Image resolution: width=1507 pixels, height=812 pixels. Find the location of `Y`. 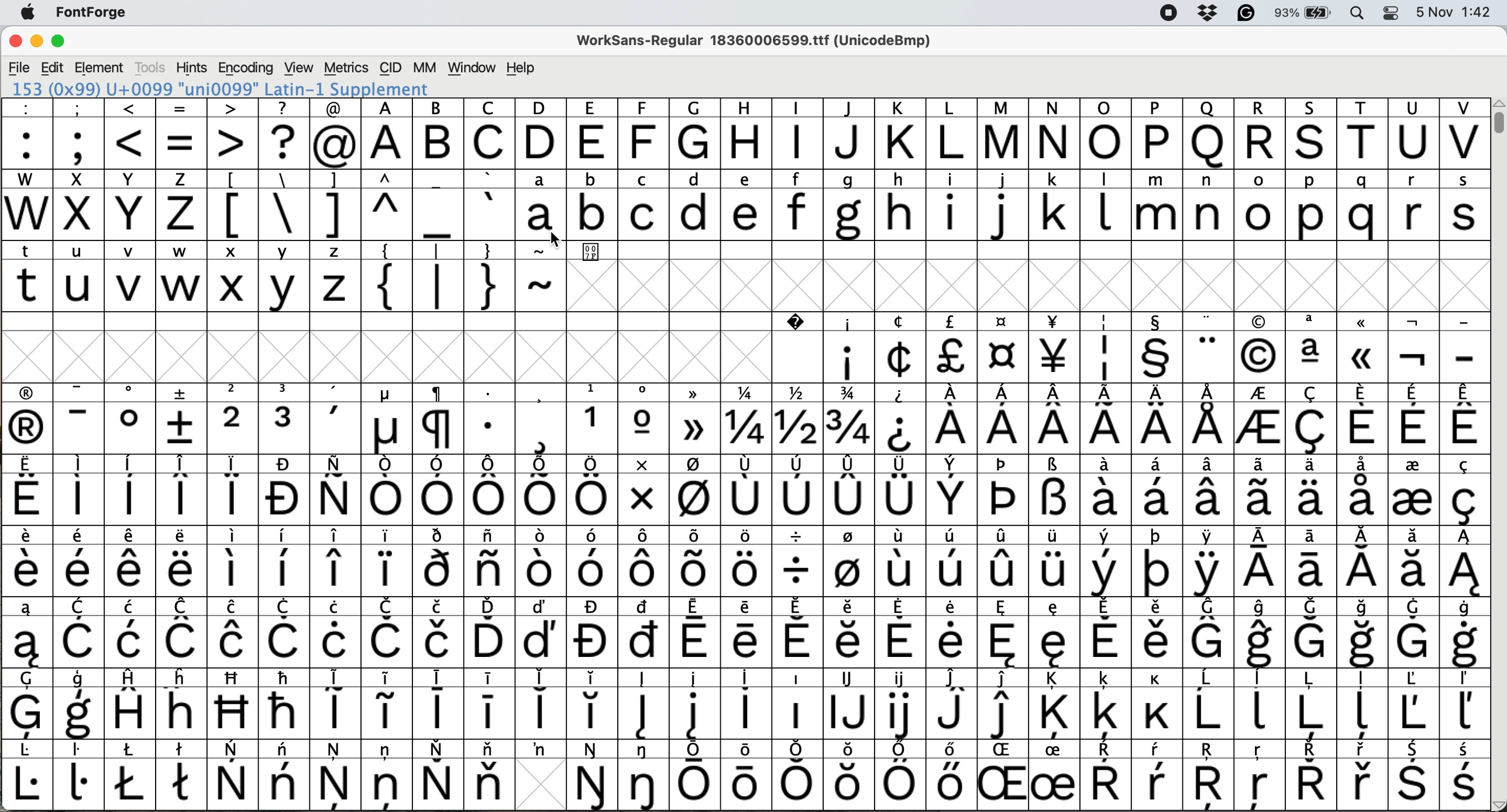

Y is located at coordinates (132, 205).